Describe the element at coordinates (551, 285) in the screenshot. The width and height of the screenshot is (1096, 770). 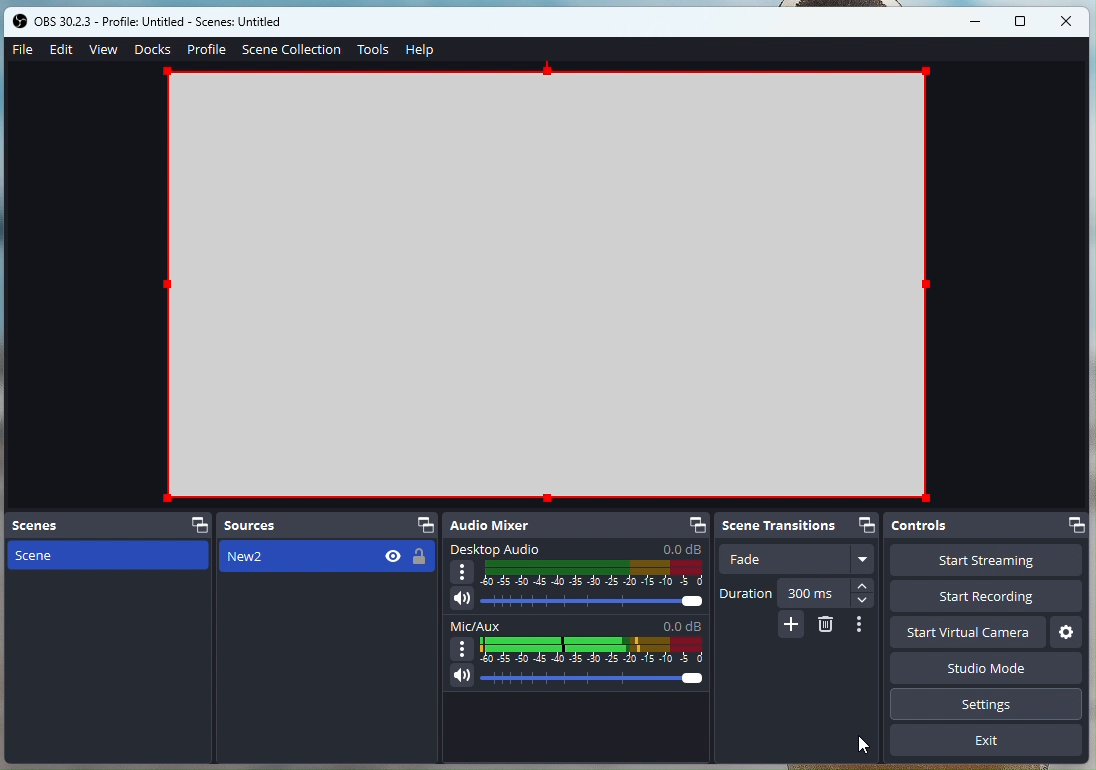
I see `Blank canvas ` at that location.